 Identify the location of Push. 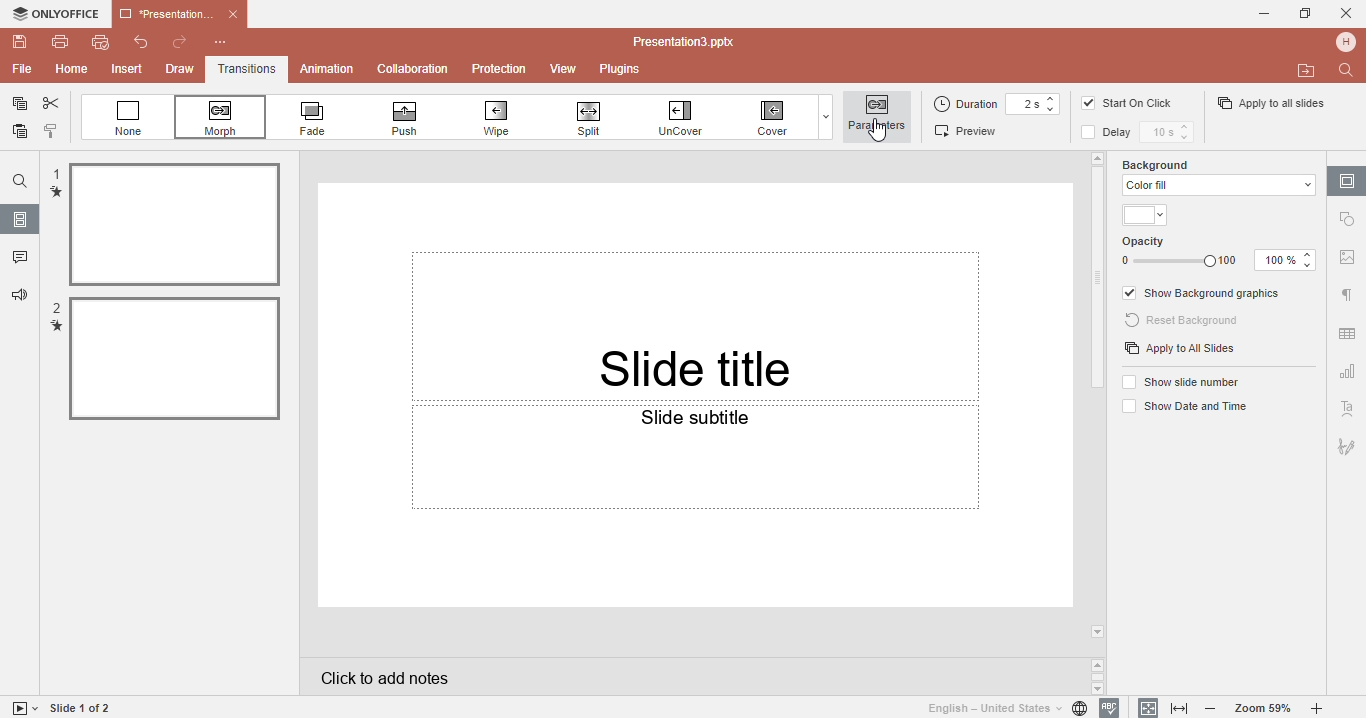
(421, 118).